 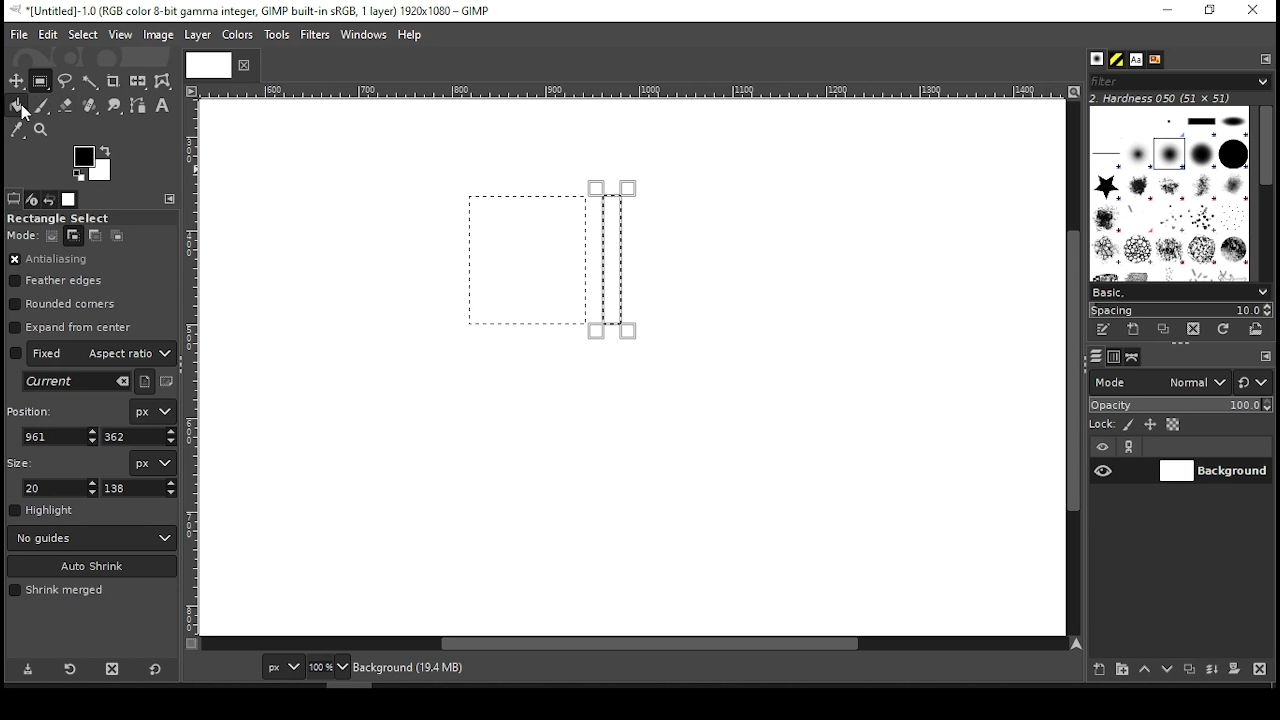 What do you see at coordinates (1169, 193) in the screenshot?
I see `brushes` at bounding box center [1169, 193].